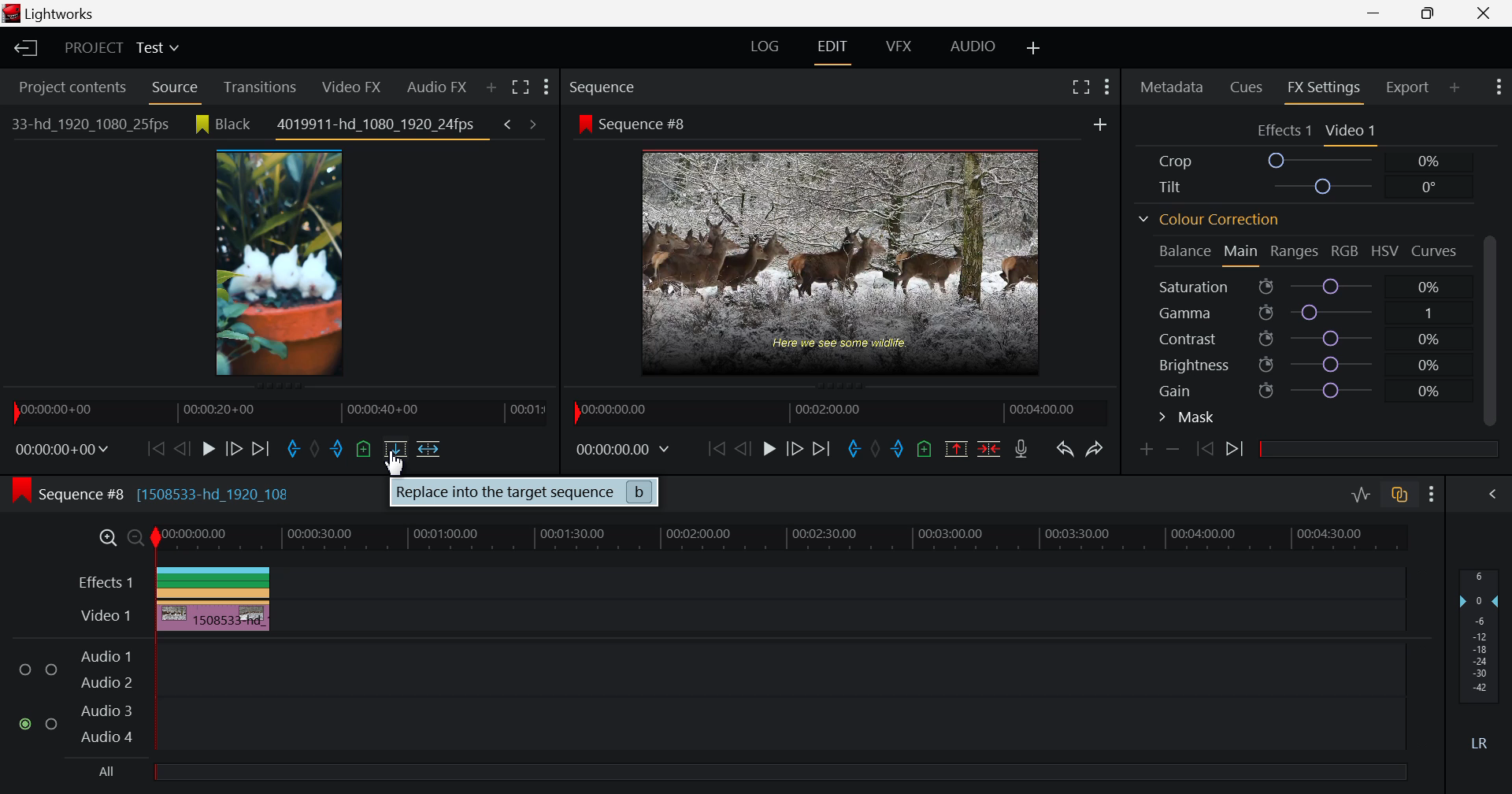 The height and width of the screenshot is (794, 1512). Describe the element at coordinates (427, 448) in the screenshot. I see `Insert into Target Sequence` at that location.